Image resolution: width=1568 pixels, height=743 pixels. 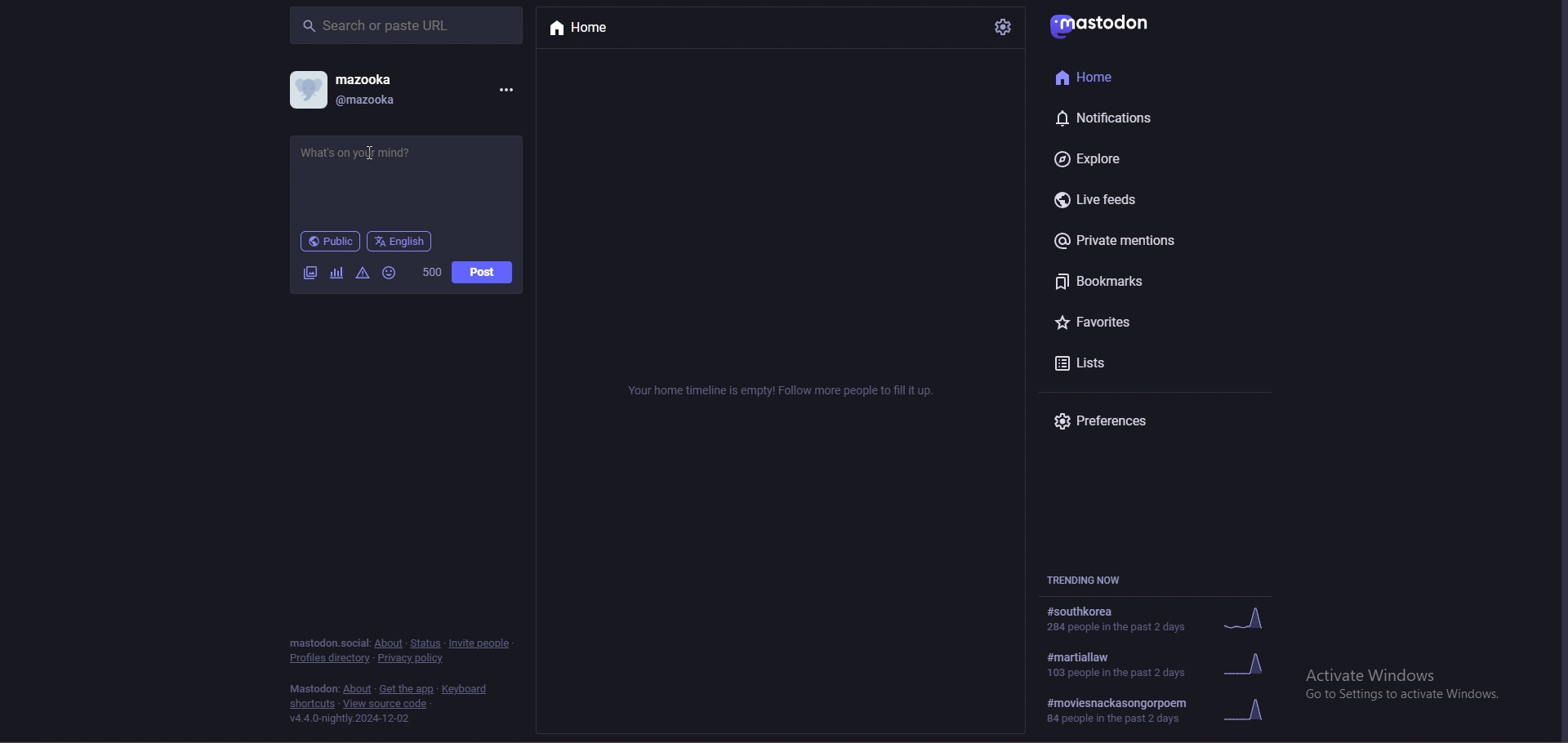 What do you see at coordinates (381, 102) in the screenshot?
I see `@mazooka` at bounding box center [381, 102].